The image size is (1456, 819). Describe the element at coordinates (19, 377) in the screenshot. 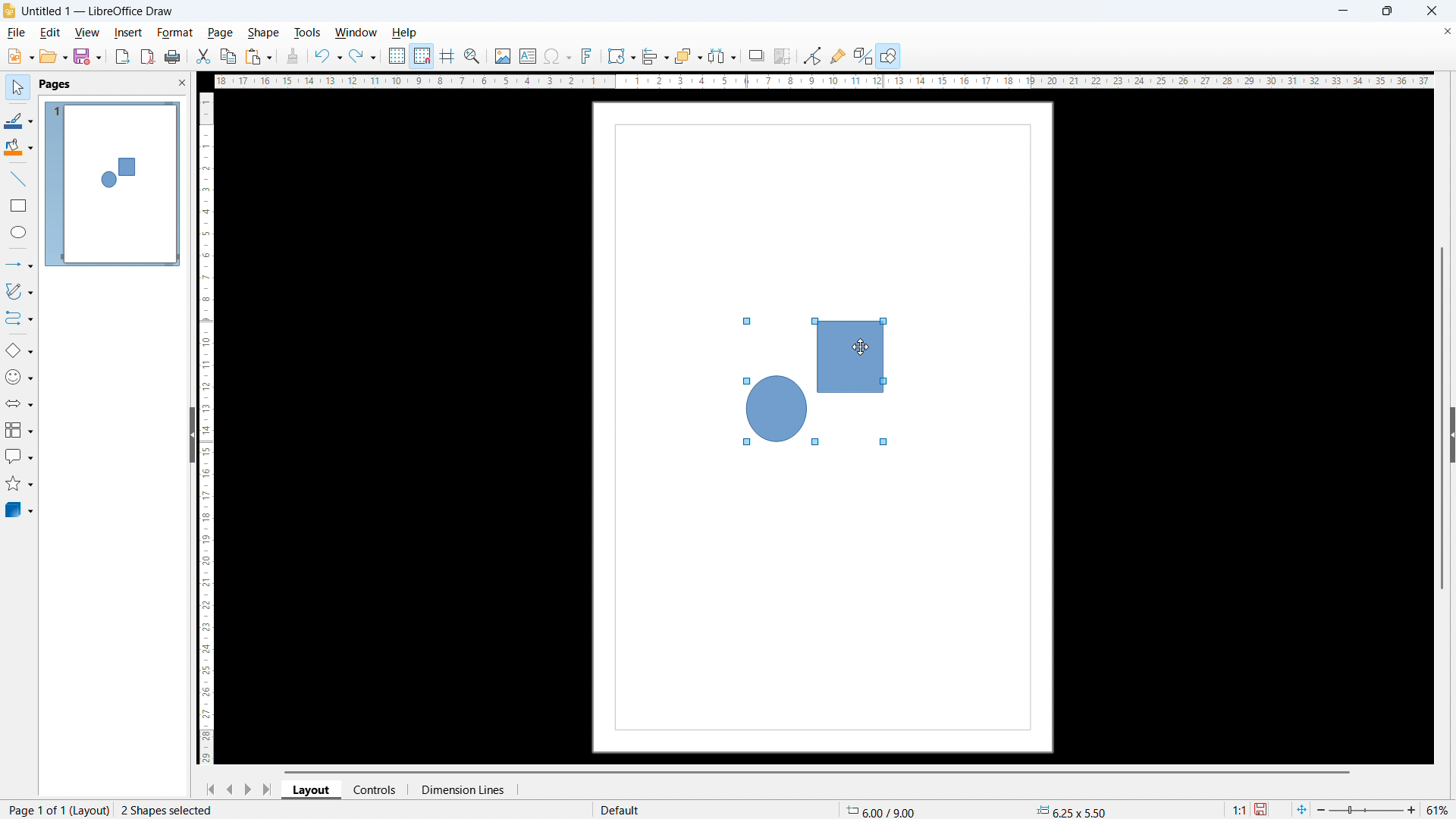

I see `symbol shapes` at that location.